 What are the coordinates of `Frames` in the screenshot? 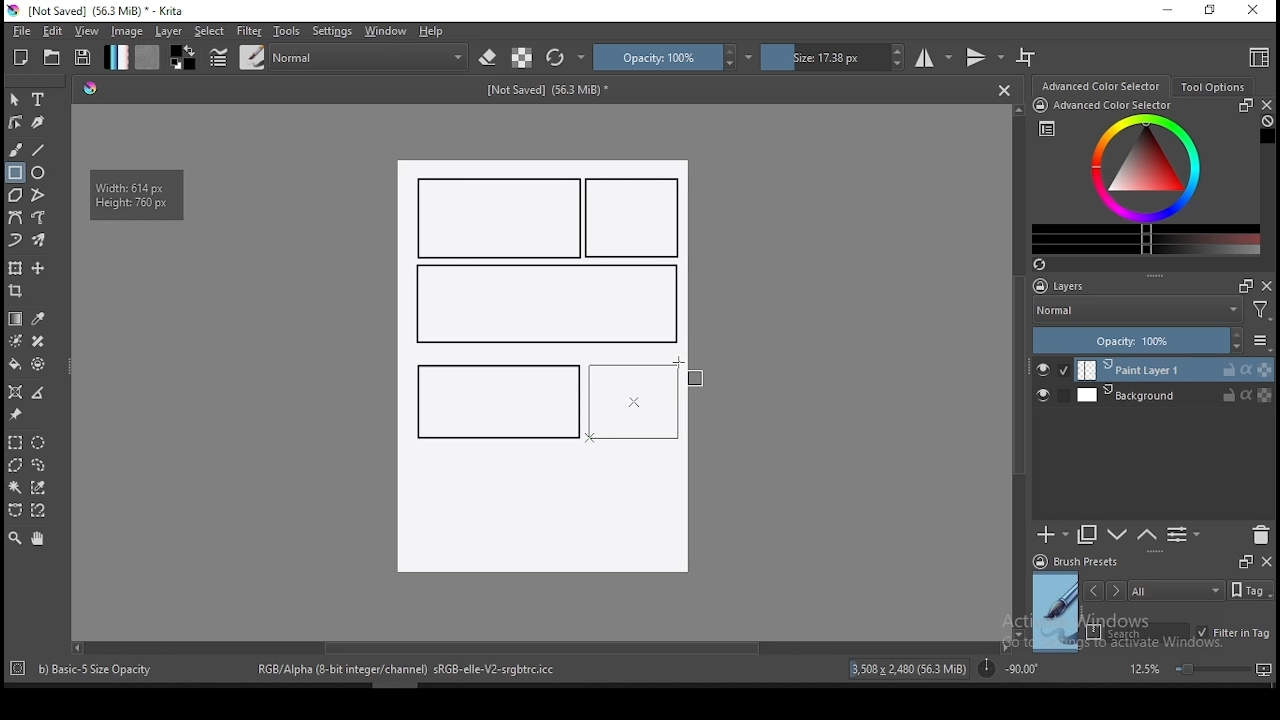 It's located at (1240, 285).